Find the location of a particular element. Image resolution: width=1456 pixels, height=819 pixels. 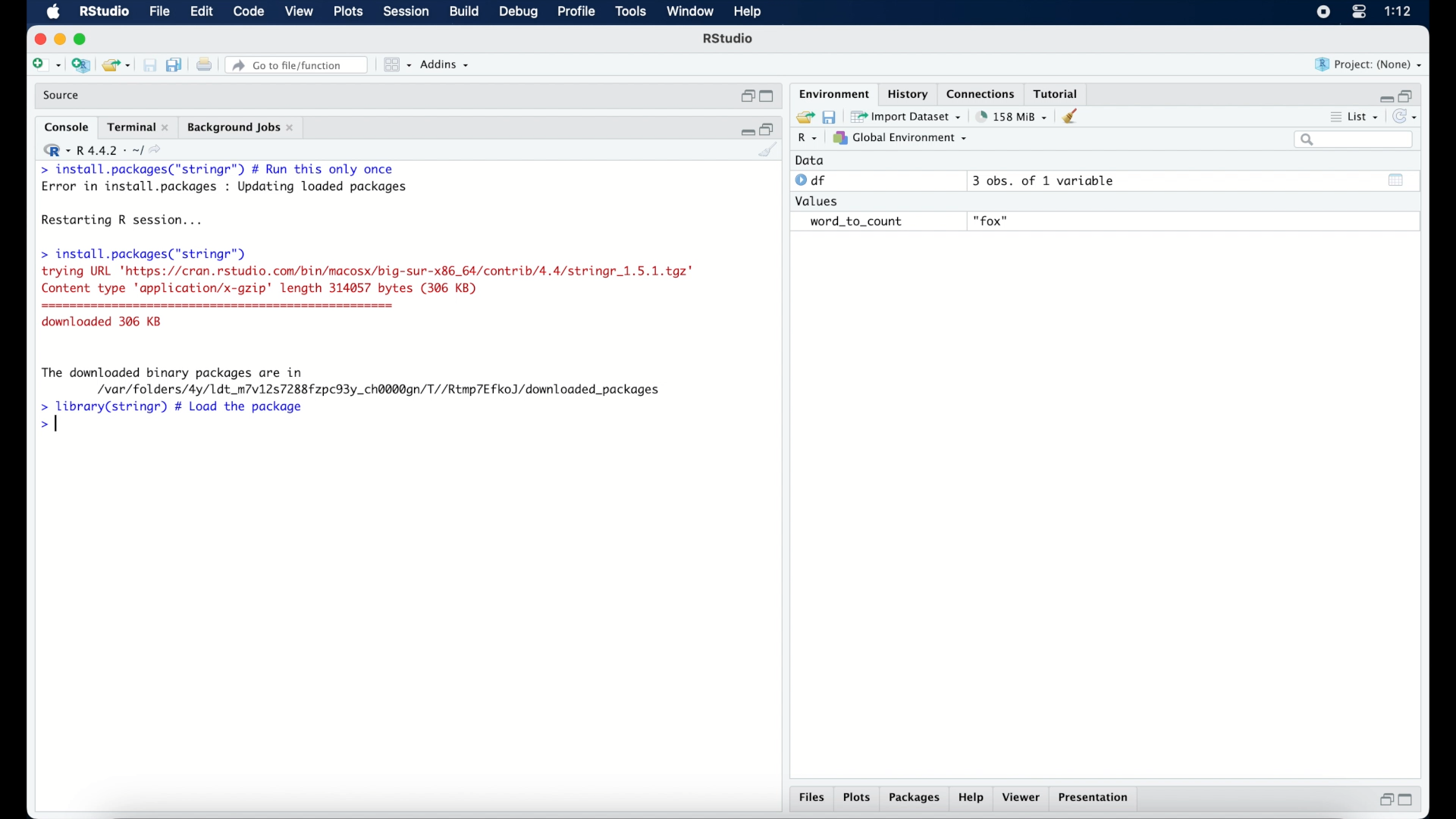

create new file is located at coordinates (45, 66).